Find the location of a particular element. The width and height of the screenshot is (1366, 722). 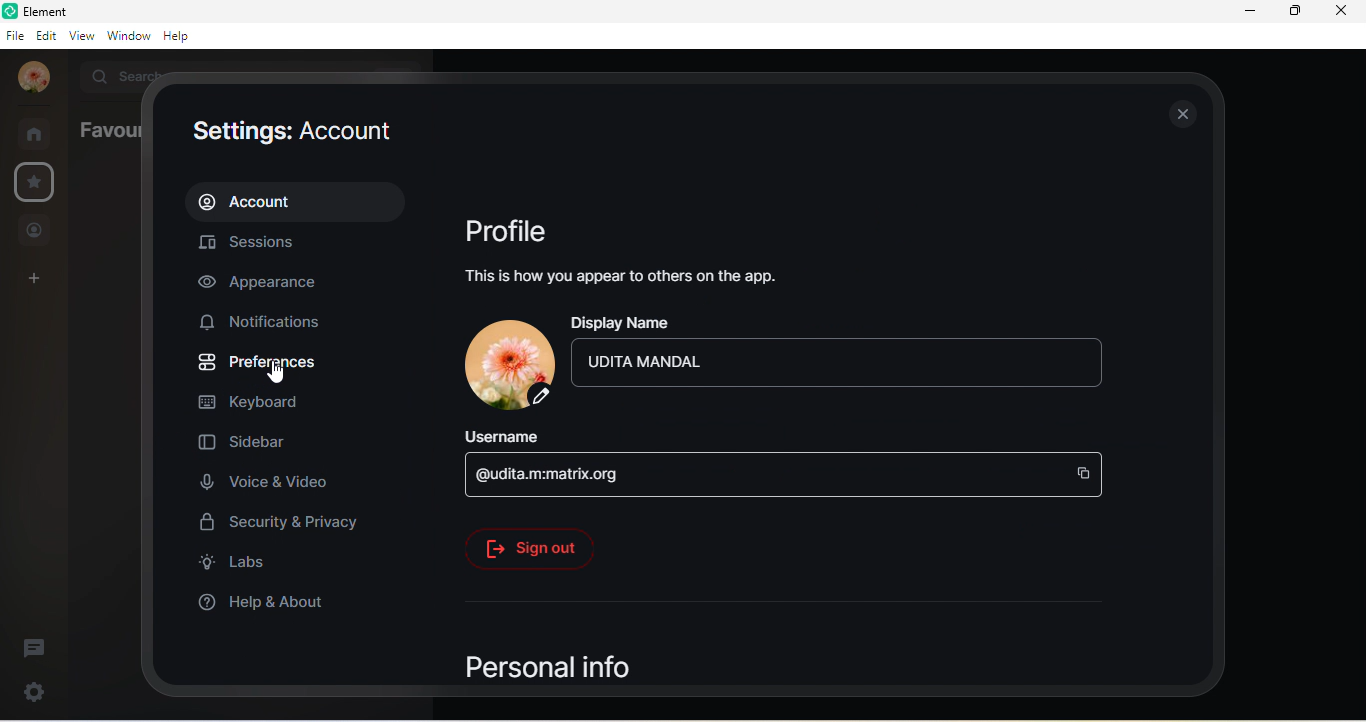

help is located at coordinates (183, 38).